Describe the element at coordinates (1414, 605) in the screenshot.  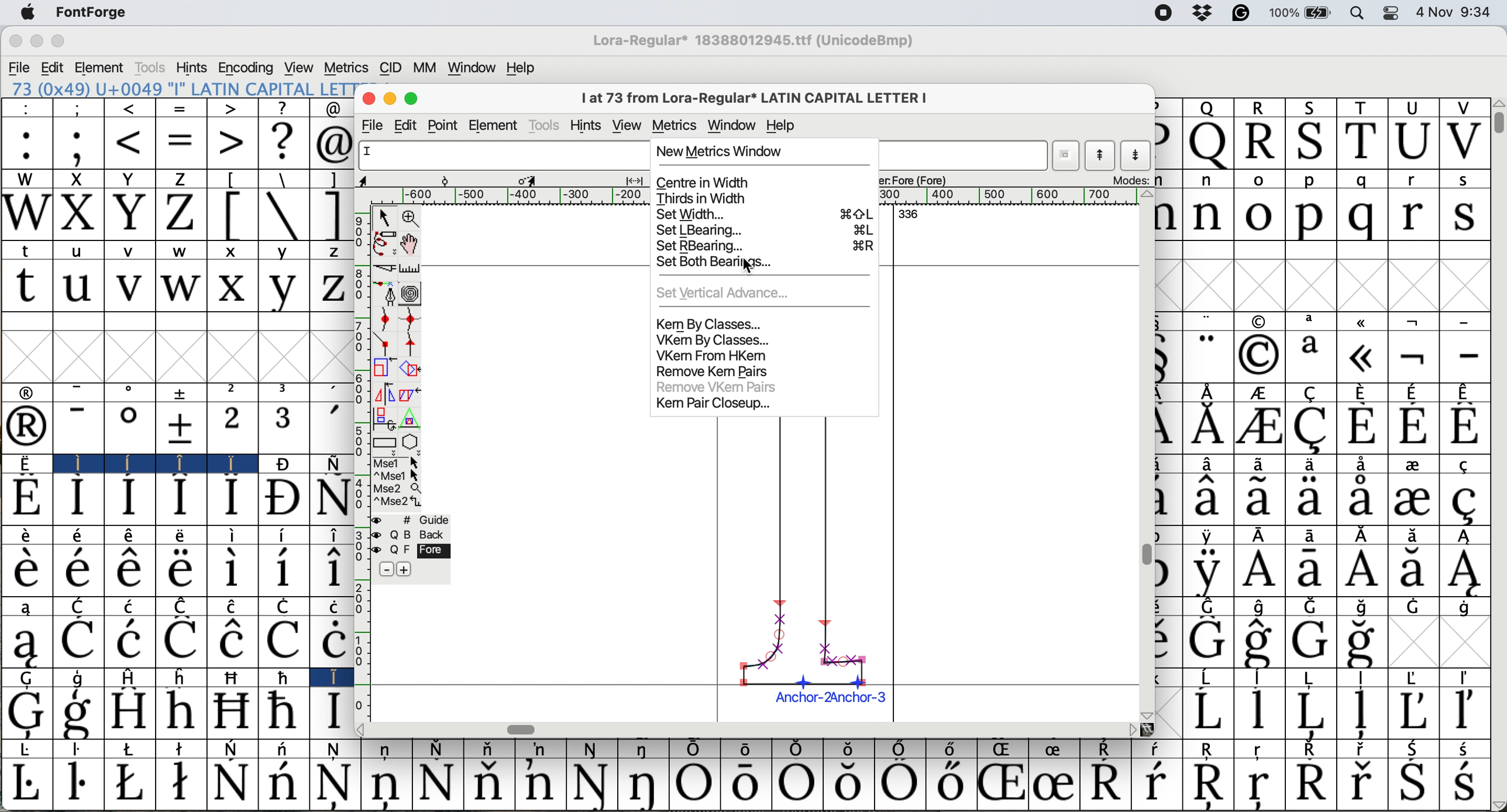
I see `` at that location.